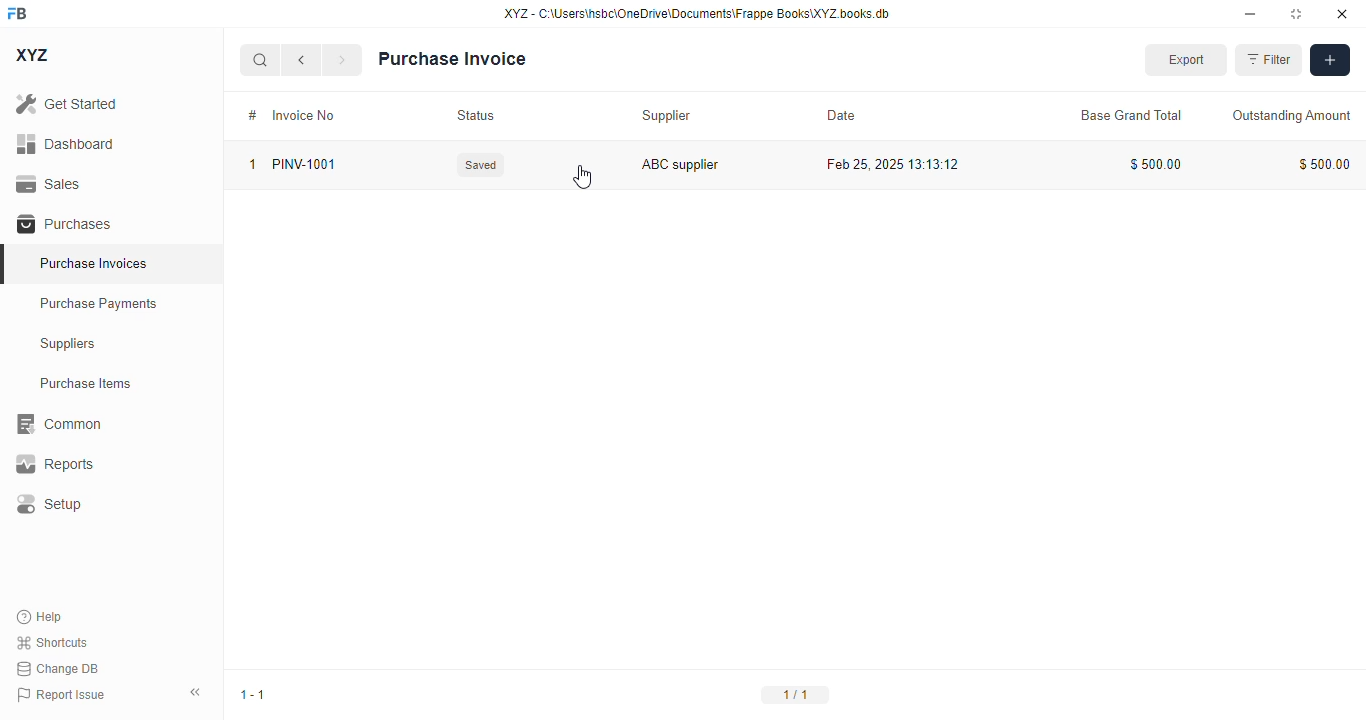  Describe the element at coordinates (304, 115) in the screenshot. I see `invoice no` at that location.